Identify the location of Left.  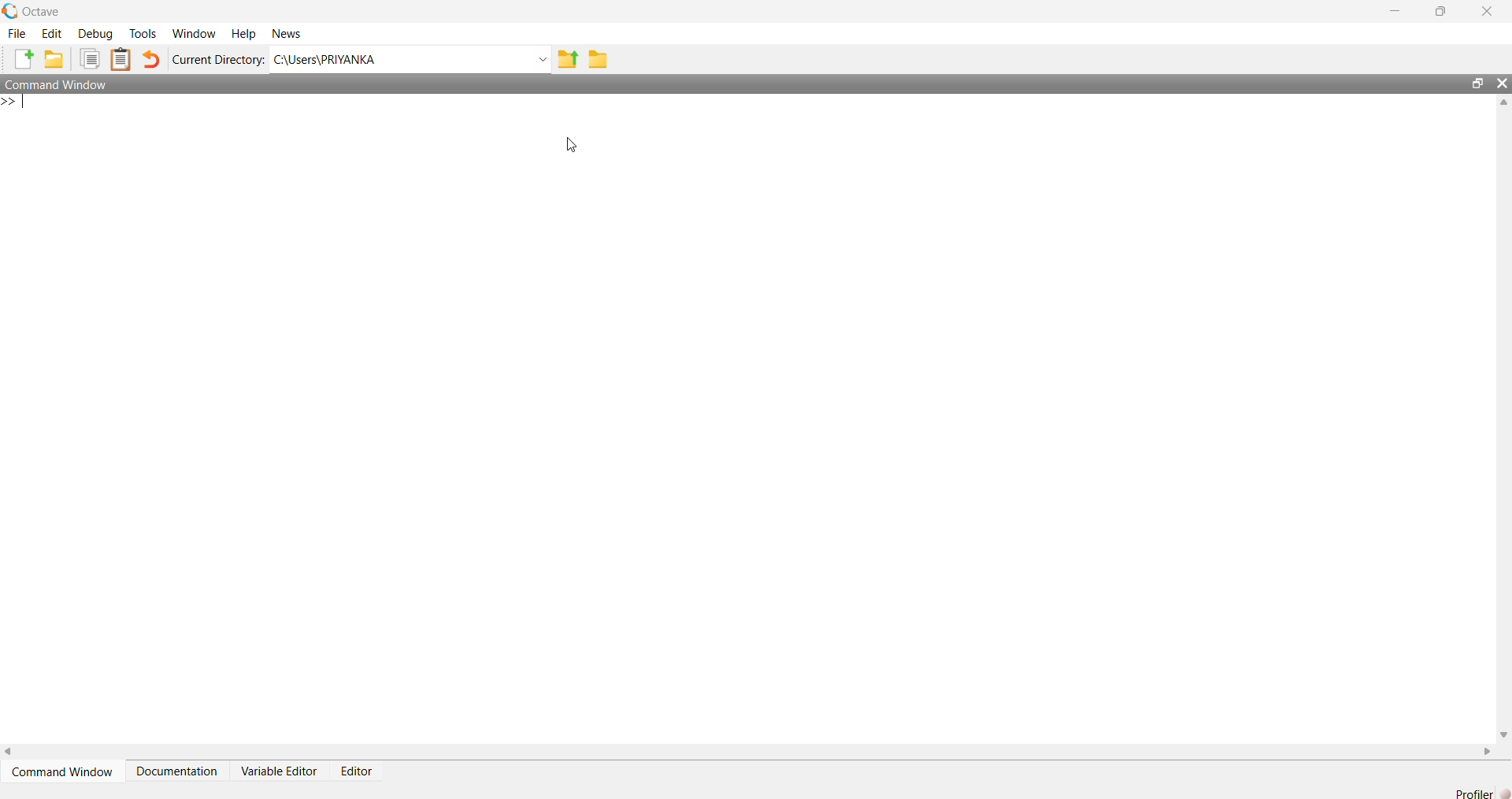
(9, 753).